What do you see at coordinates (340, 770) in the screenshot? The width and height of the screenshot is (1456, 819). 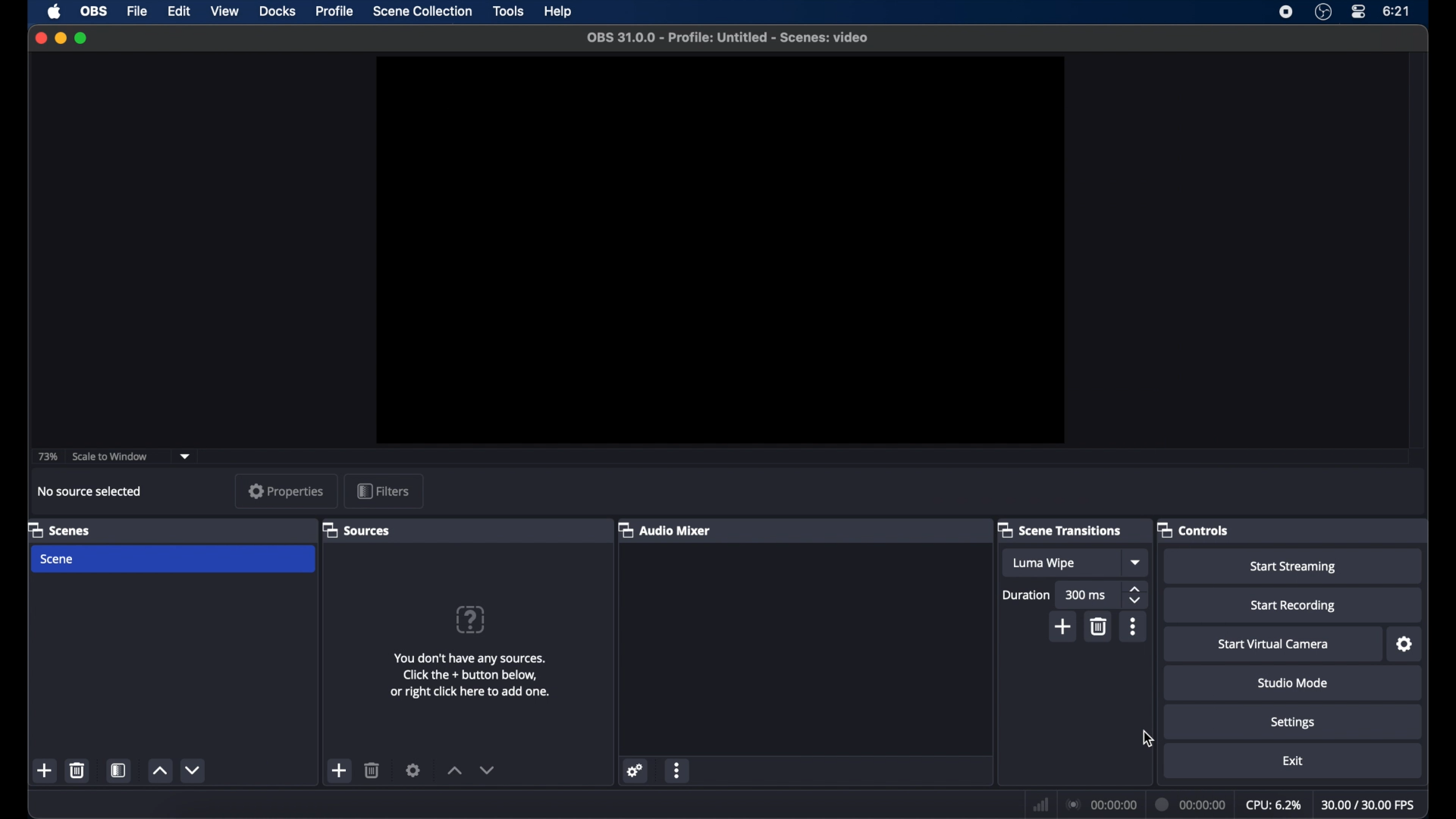 I see `add` at bounding box center [340, 770].